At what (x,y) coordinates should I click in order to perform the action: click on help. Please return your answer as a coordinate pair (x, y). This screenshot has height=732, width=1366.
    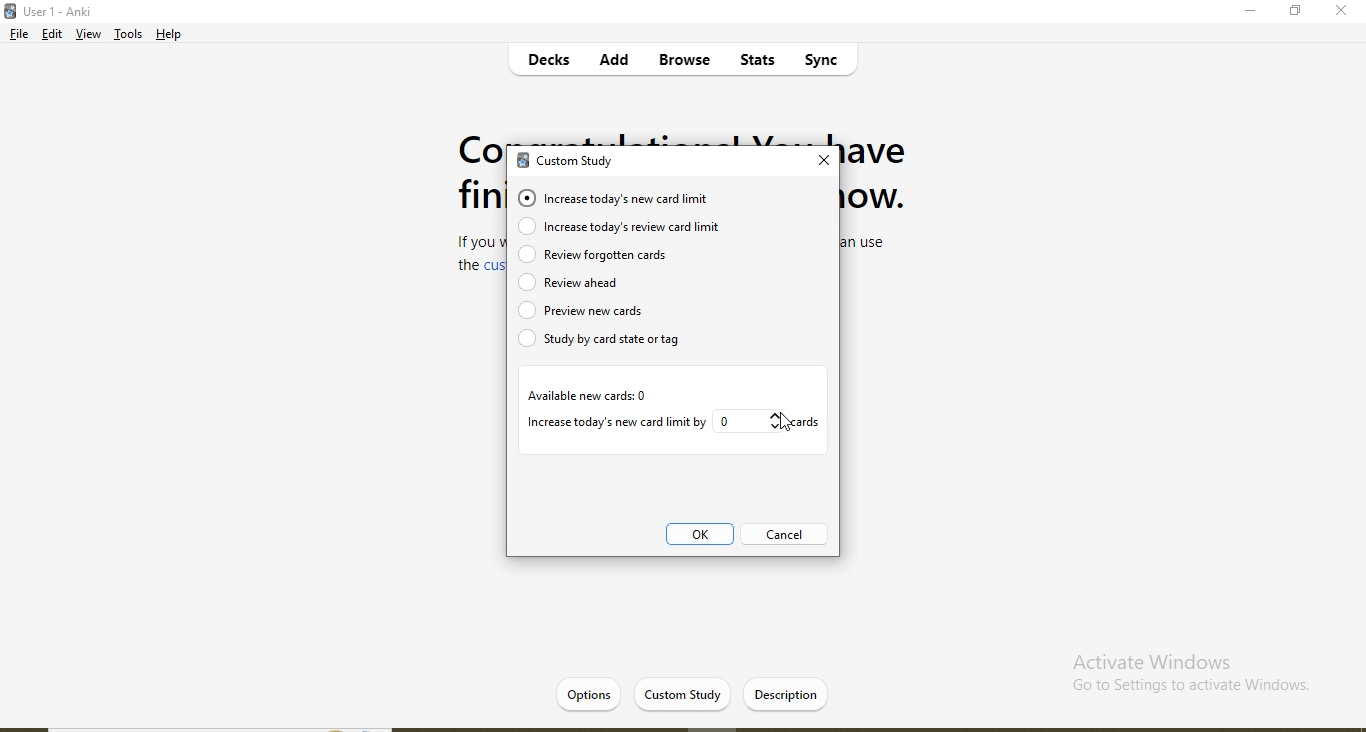
    Looking at the image, I should click on (171, 34).